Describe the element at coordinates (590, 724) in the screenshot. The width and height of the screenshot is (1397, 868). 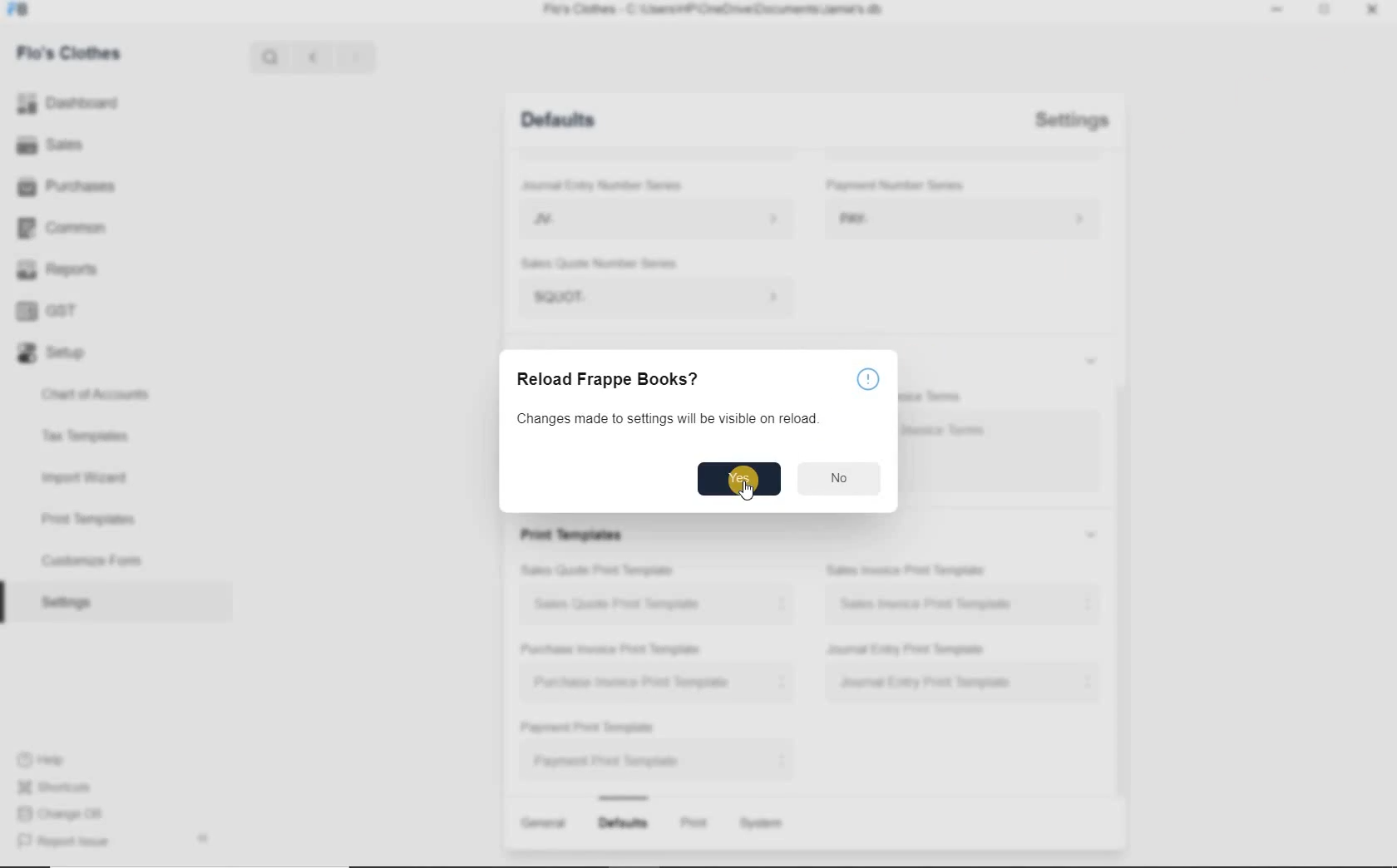
I see `Payment Print Template` at that location.